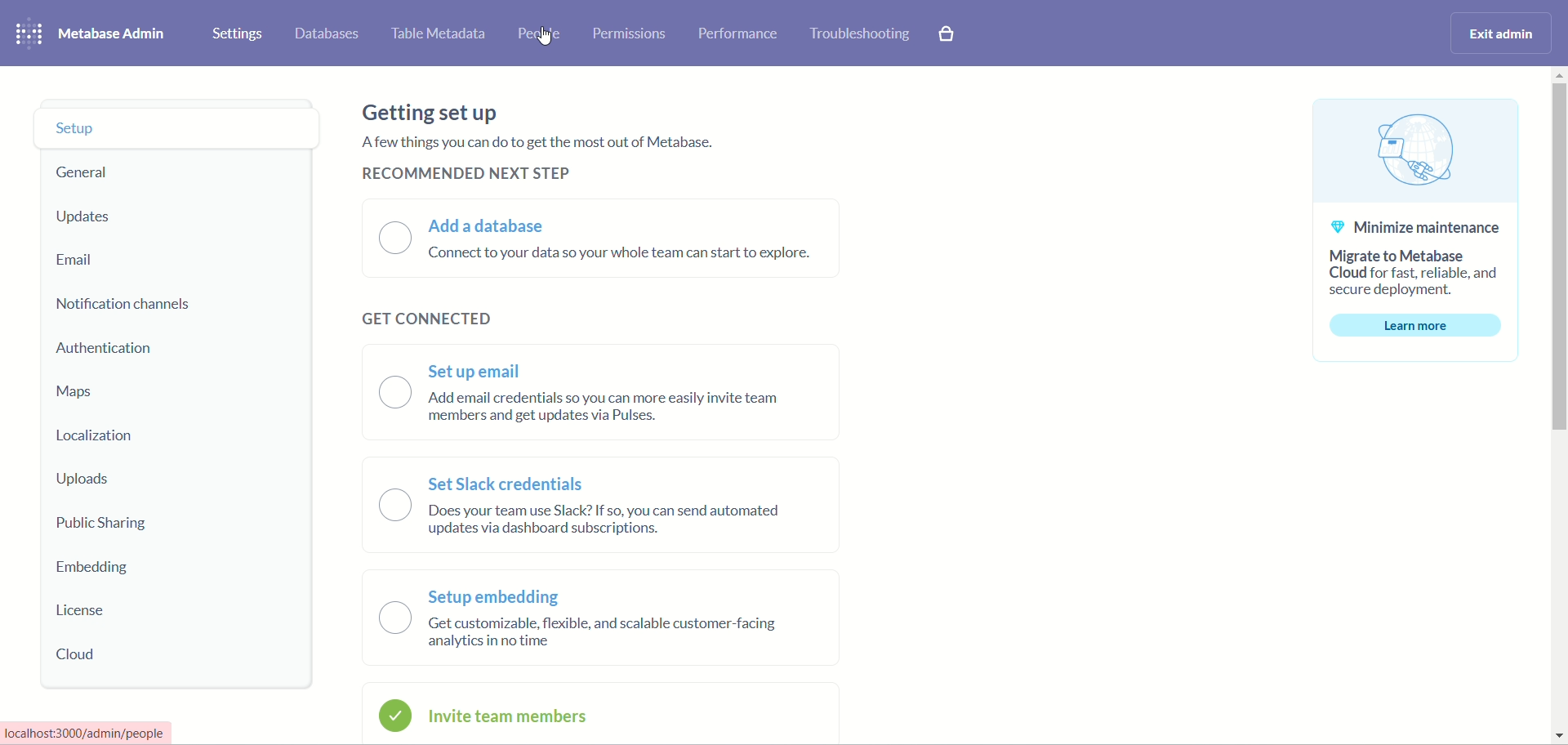  I want to click on paid features, so click(947, 33).